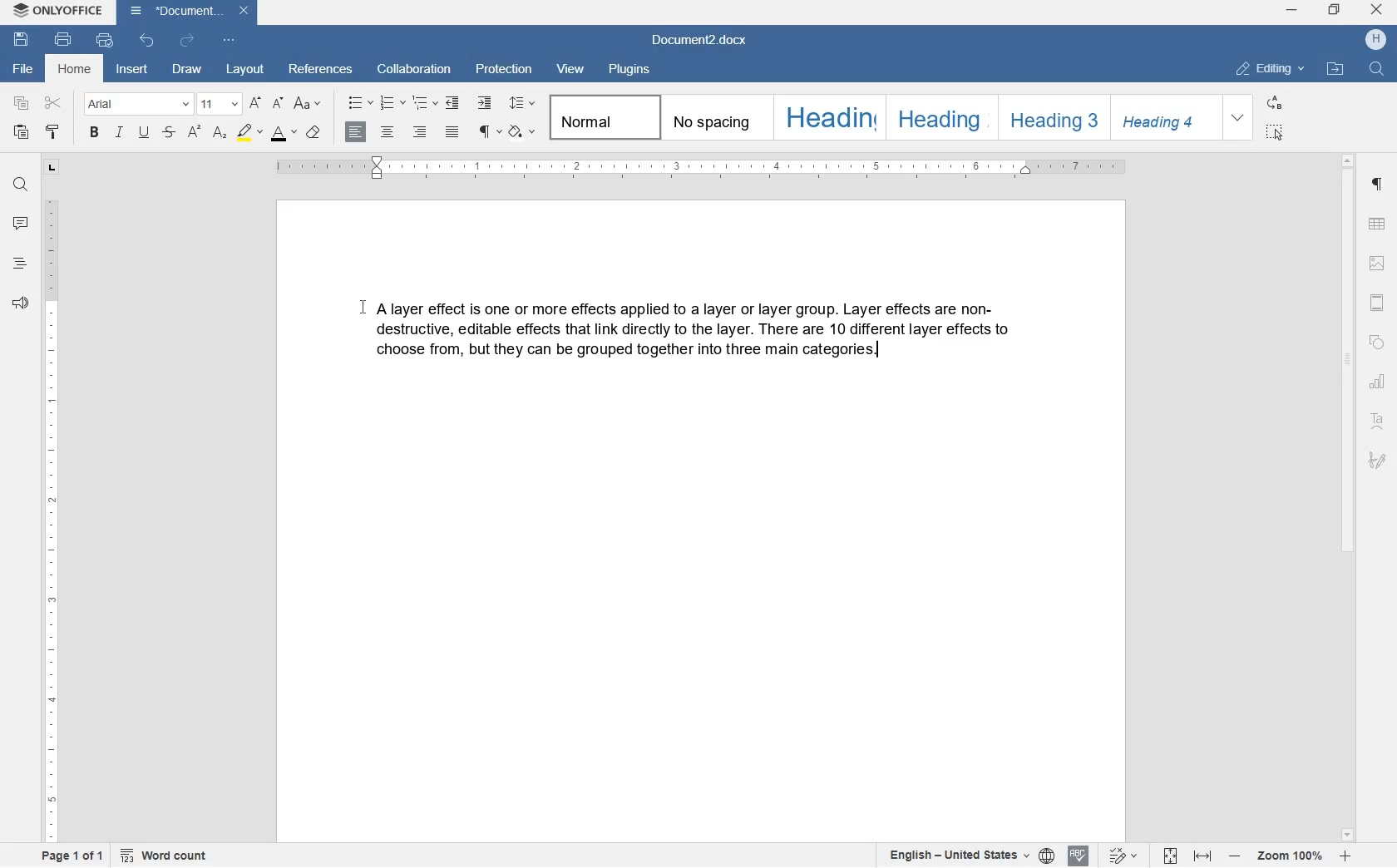 Image resolution: width=1397 pixels, height=868 pixels. What do you see at coordinates (1336, 70) in the screenshot?
I see `open file location` at bounding box center [1336, 70].